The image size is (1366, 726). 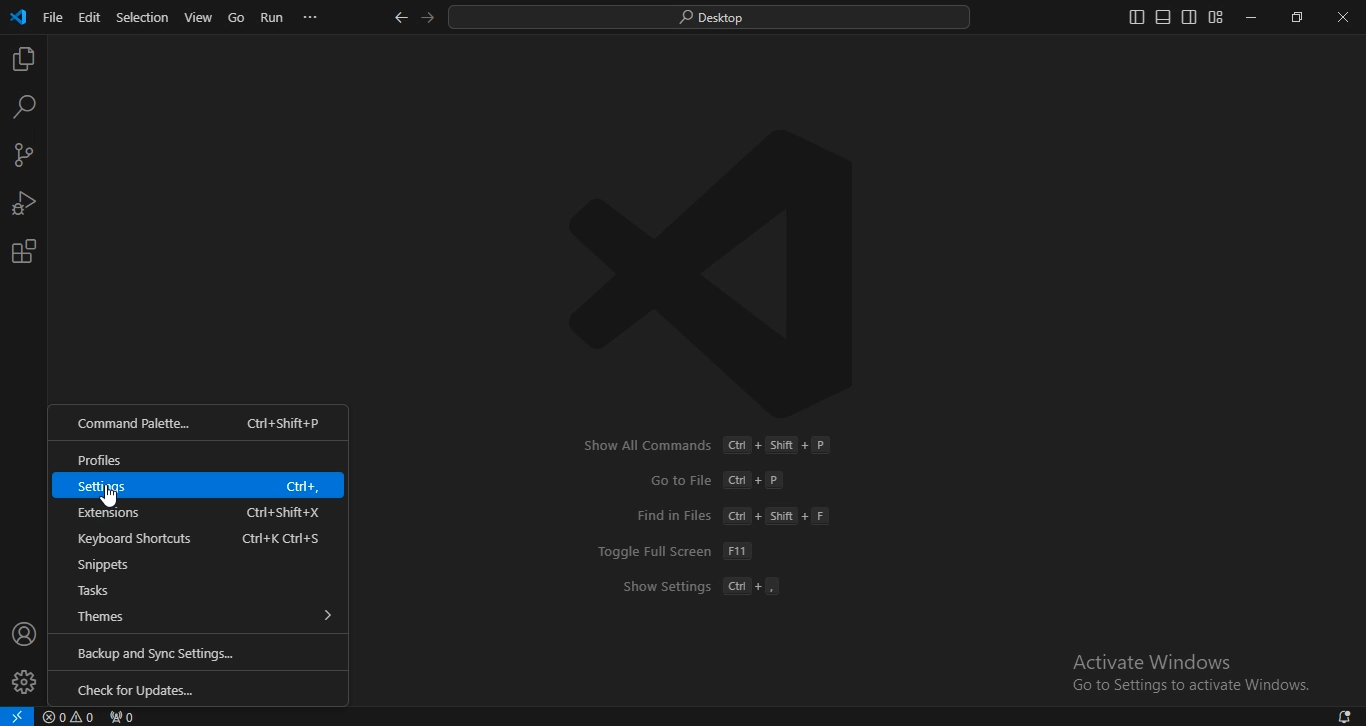 What do you see at coordinates (206, 536) in the screenshot?
I see `keyboard shortcuts` at bounding box center [206, 536].